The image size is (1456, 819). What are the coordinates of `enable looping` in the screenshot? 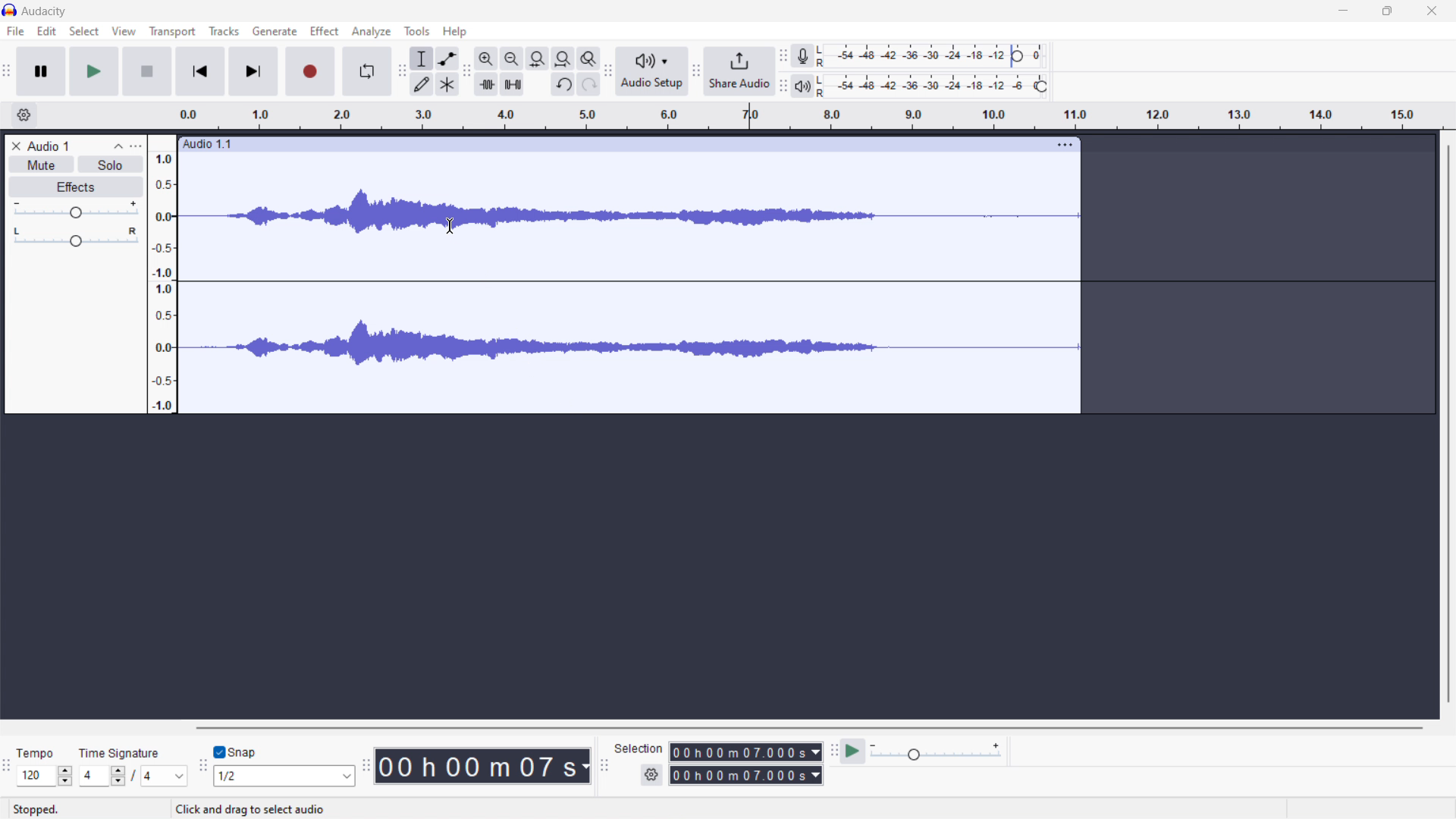 It's located at (366, 72).